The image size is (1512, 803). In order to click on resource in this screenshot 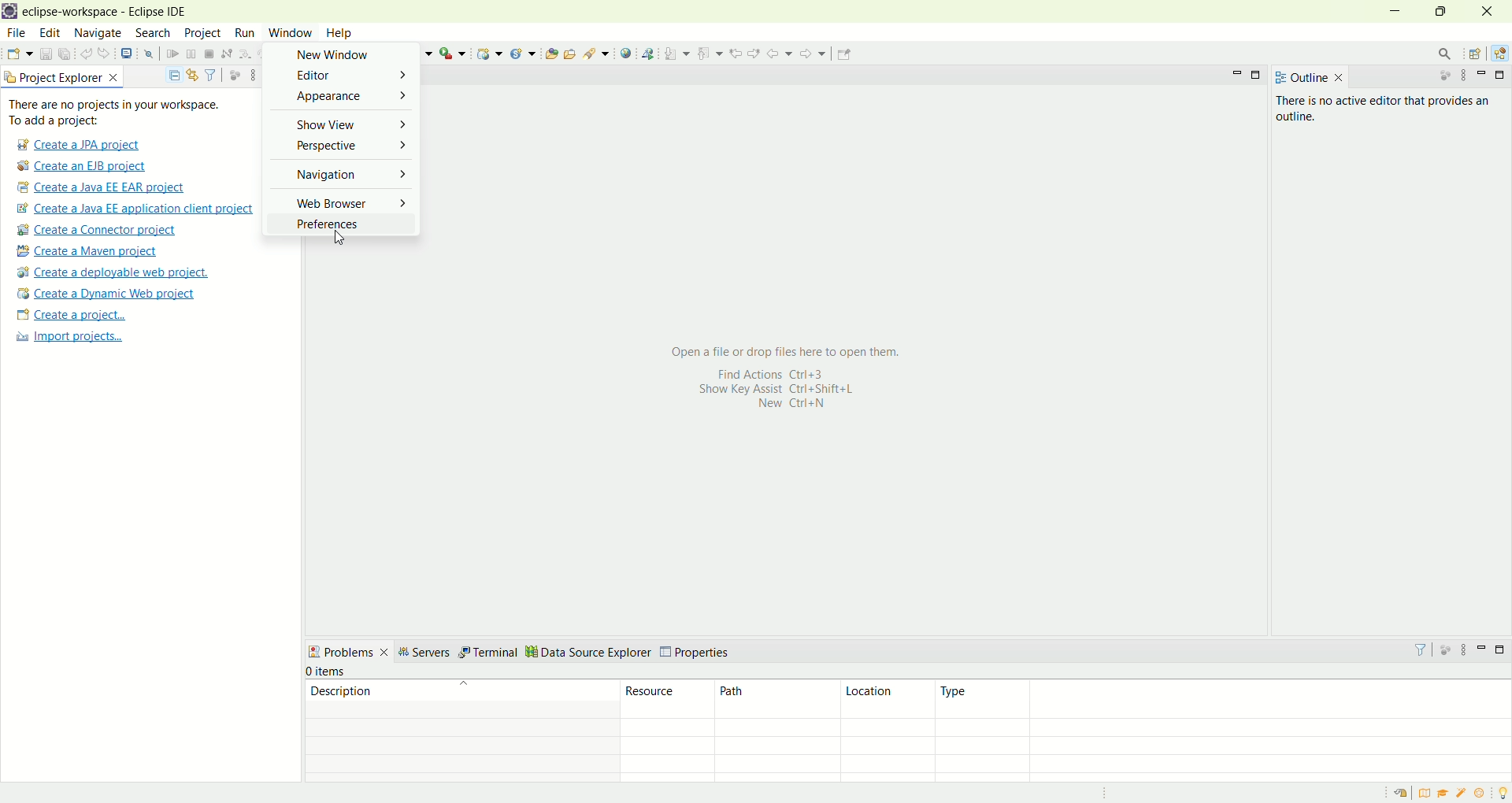, I will do `click(669, 698)`.